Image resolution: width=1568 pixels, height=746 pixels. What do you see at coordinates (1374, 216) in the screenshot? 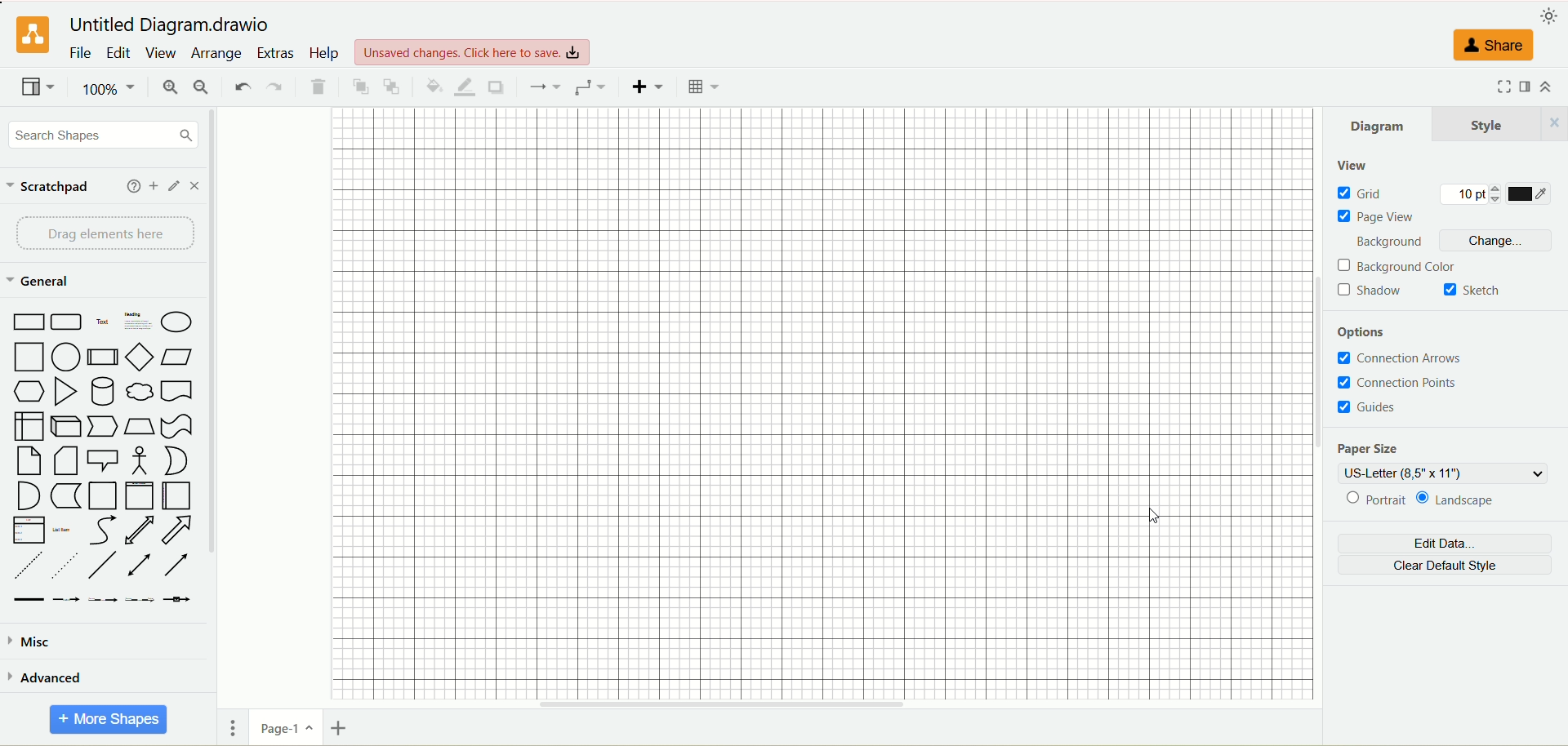
I see `page view` at bounding box center [1374, 216].